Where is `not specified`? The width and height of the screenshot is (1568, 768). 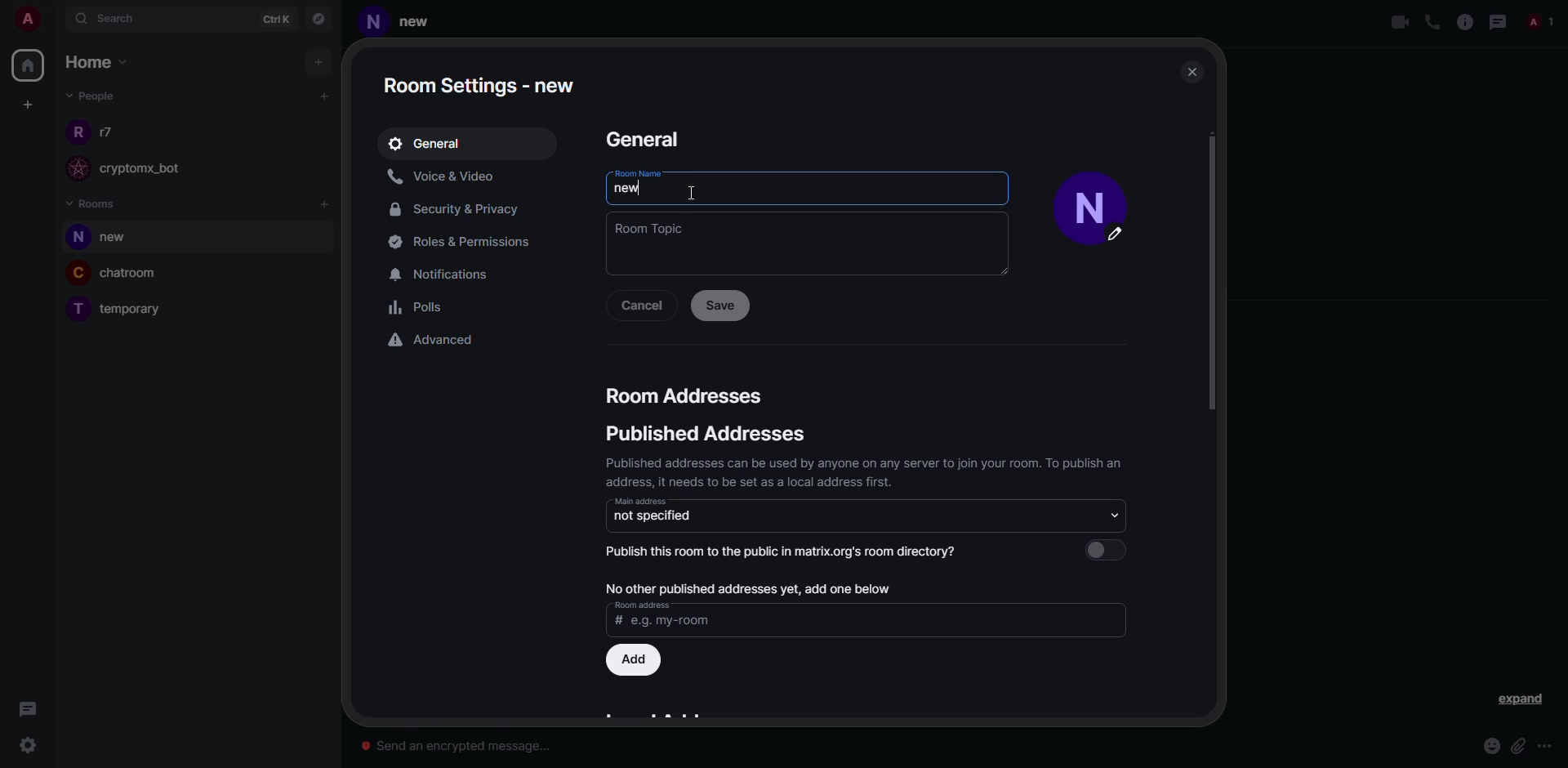 not specified is located at coordinates (654, 516).